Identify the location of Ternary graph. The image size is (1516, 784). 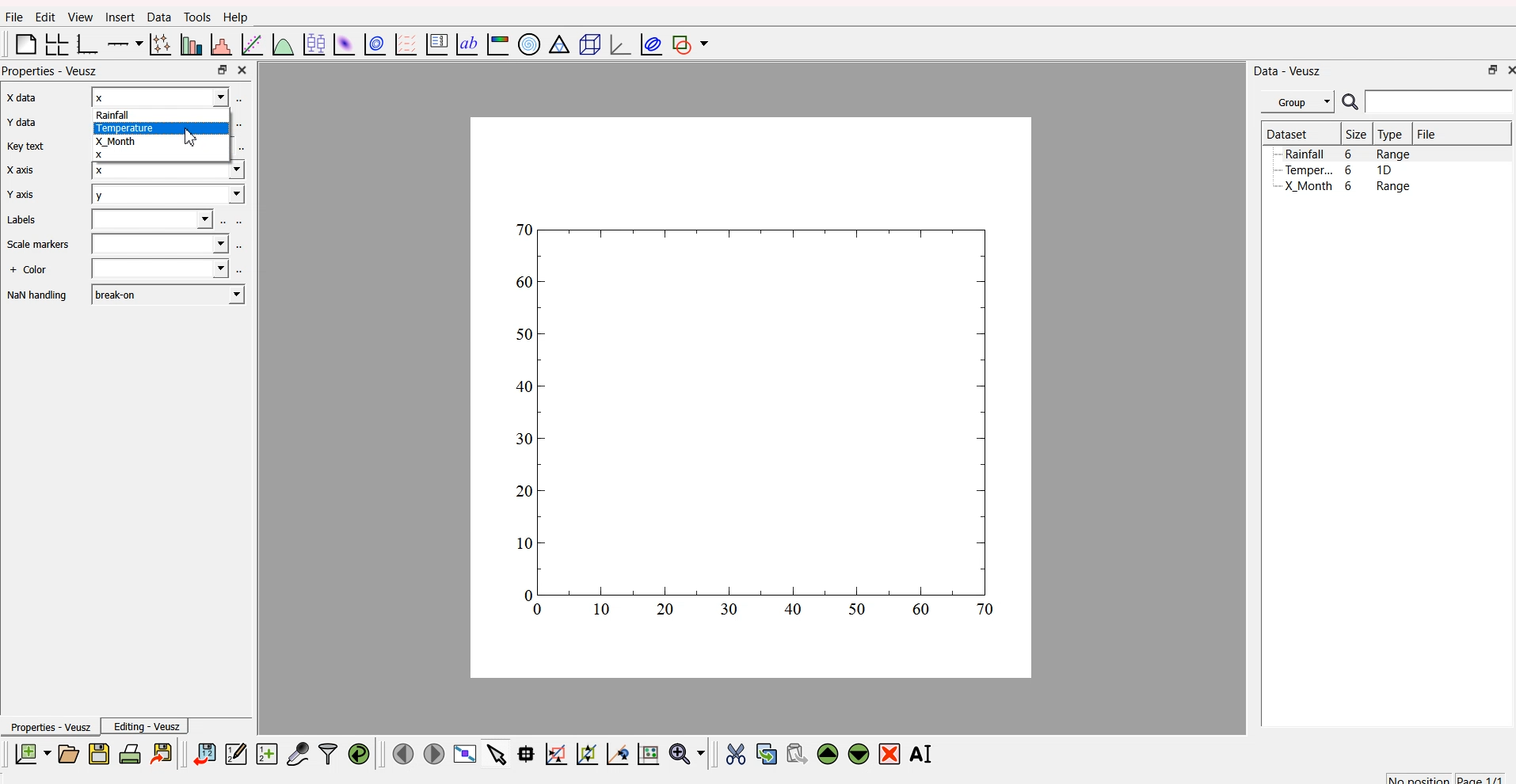
(556, 45).